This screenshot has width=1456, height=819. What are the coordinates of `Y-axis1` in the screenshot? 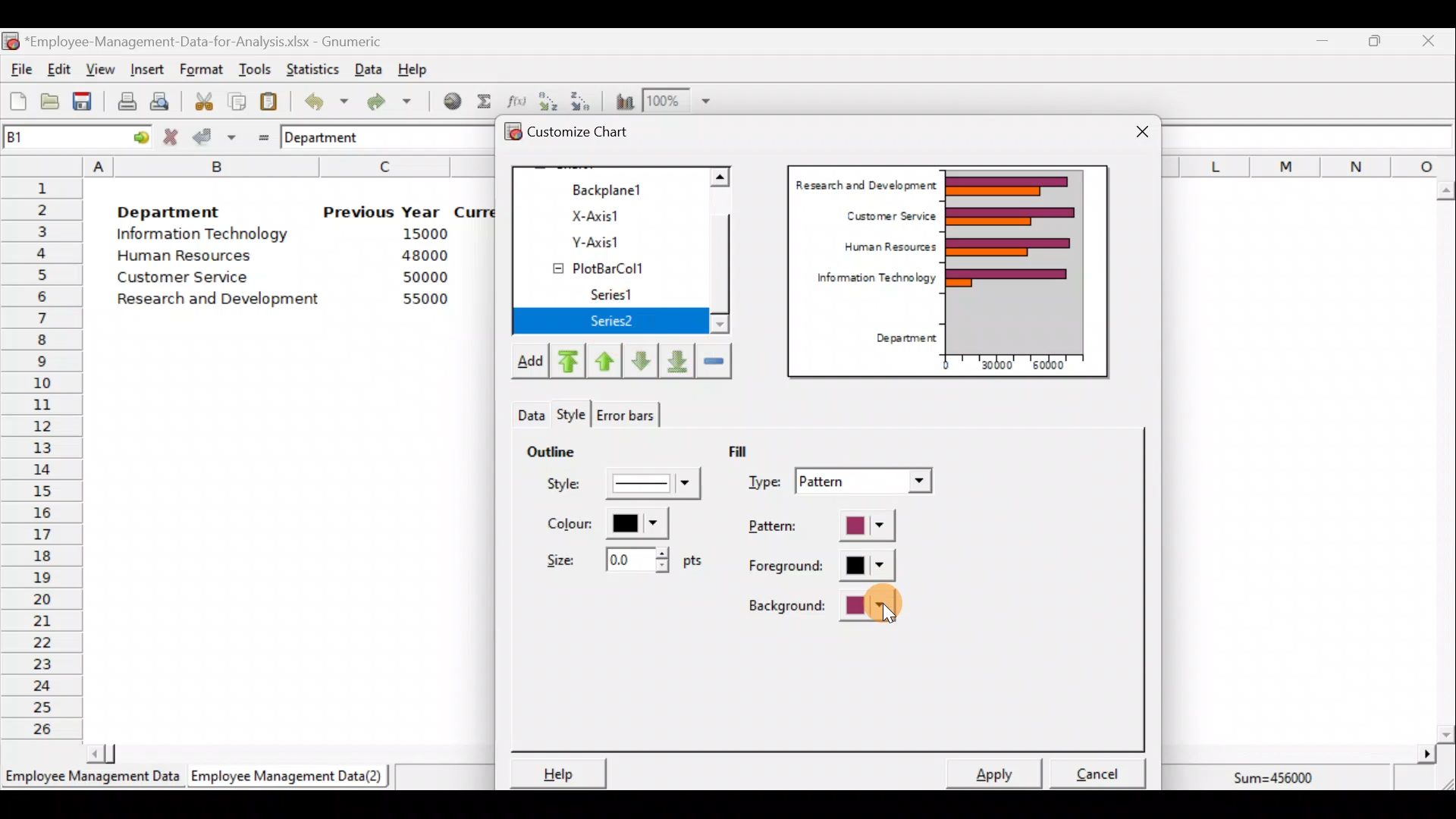 It's located at (615, 240).